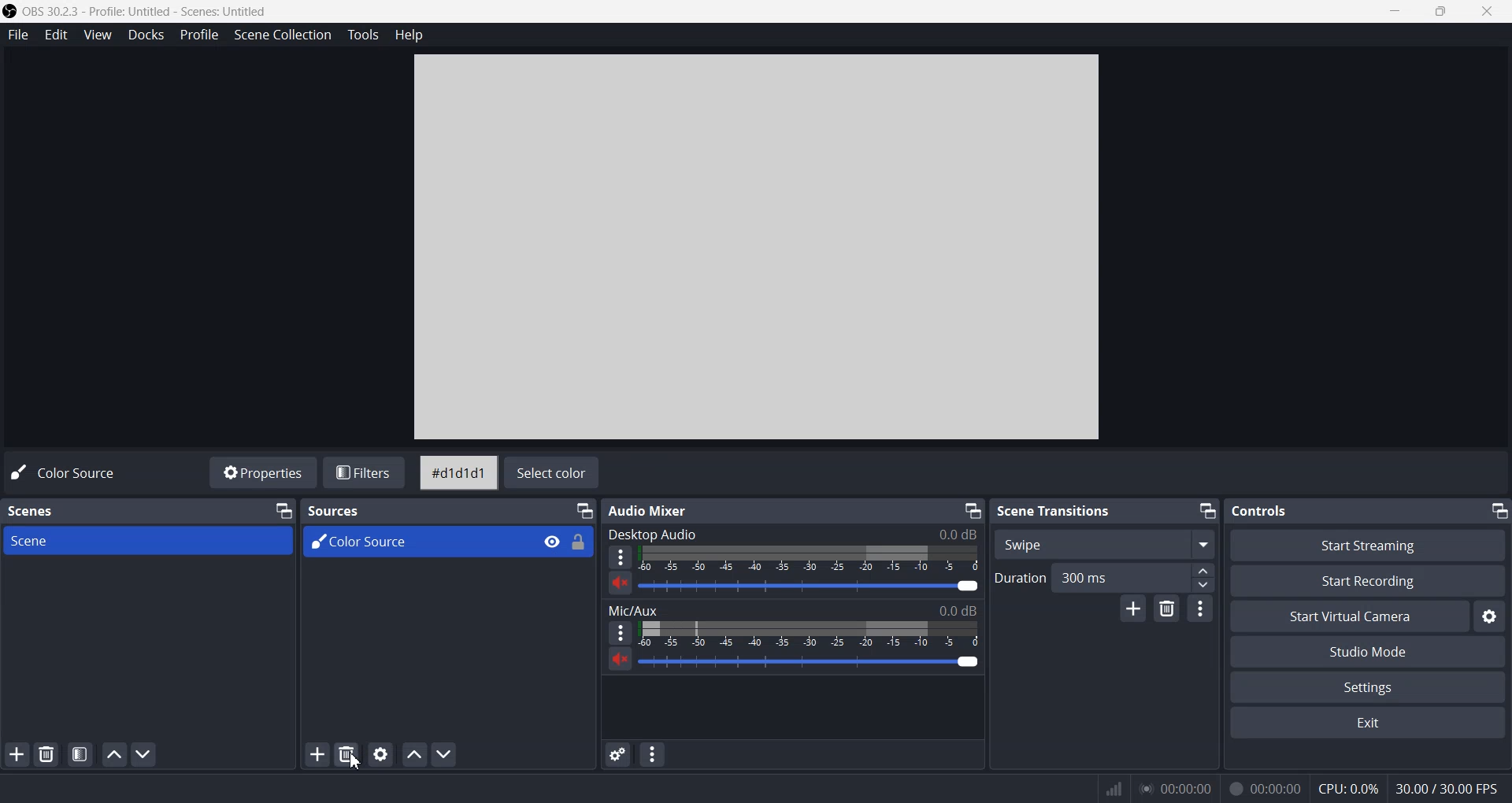 Image resolution: width=1512 pixels, height=803 pixels. Describe the element at coordinates (1054, 510) in the screenshot. I see `Scene Transition` at that location.